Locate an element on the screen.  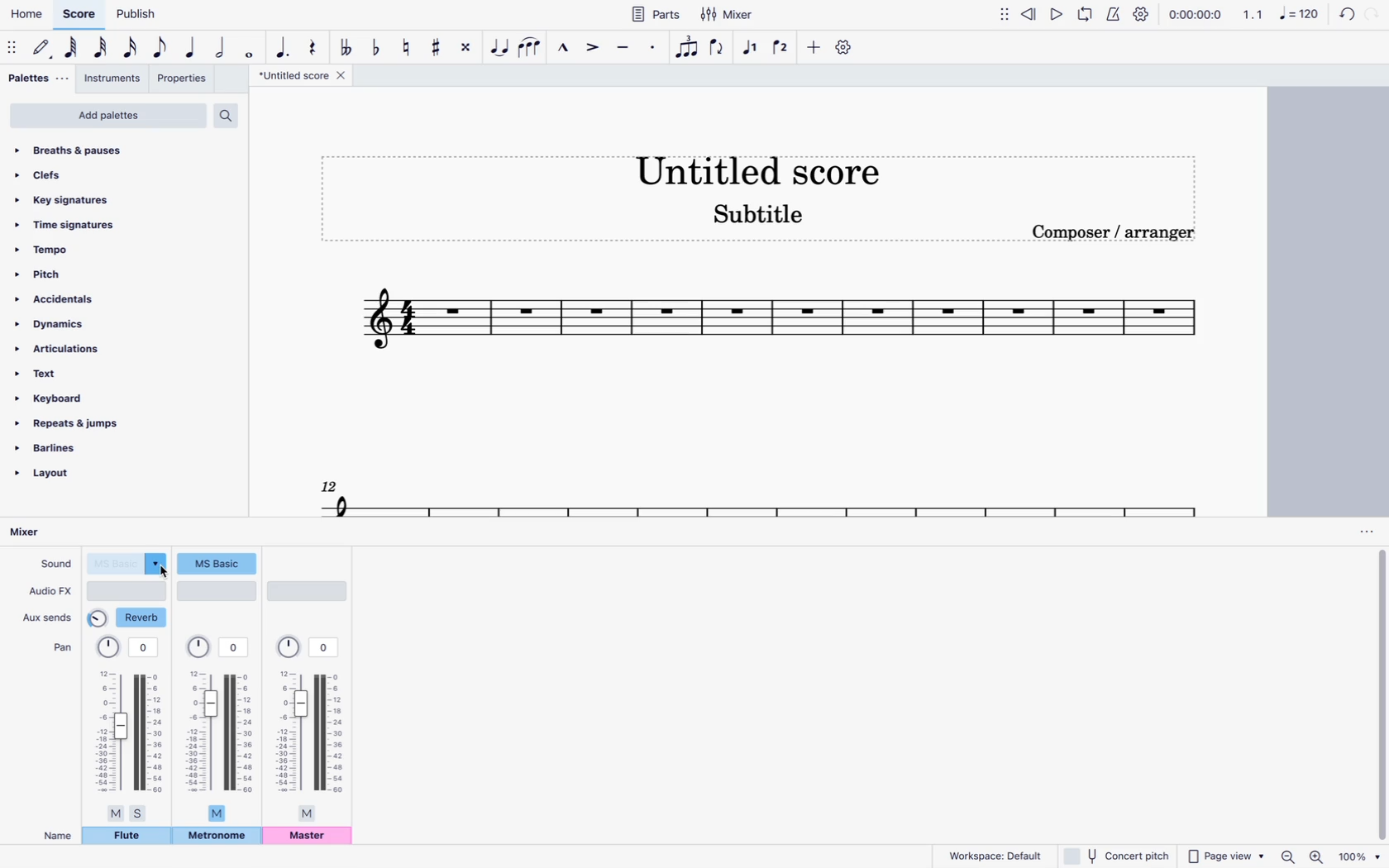
32nd note is located at coordinates (103, 48).